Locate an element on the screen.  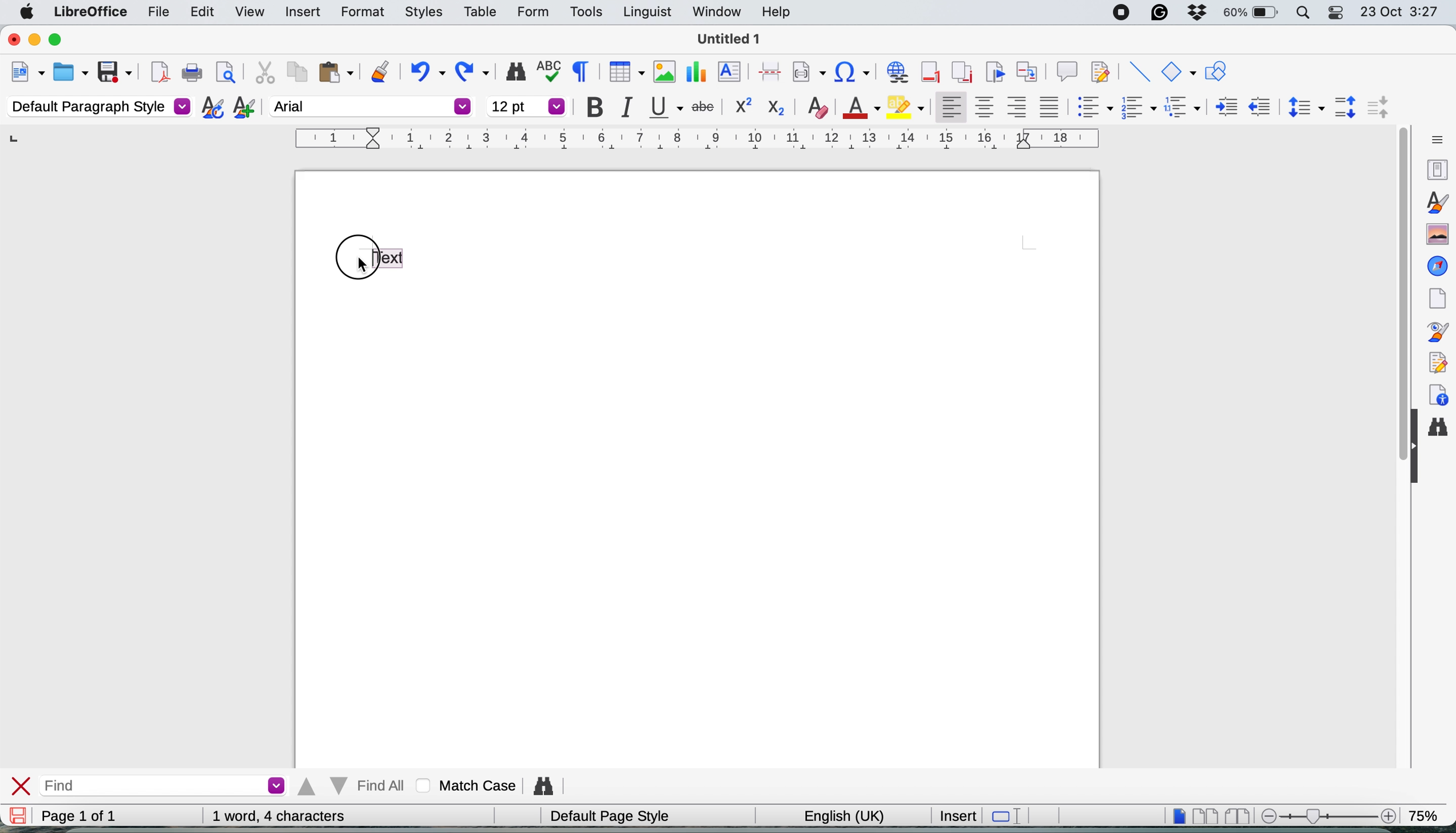
decrease indent is located at coordinates (1258, 107).